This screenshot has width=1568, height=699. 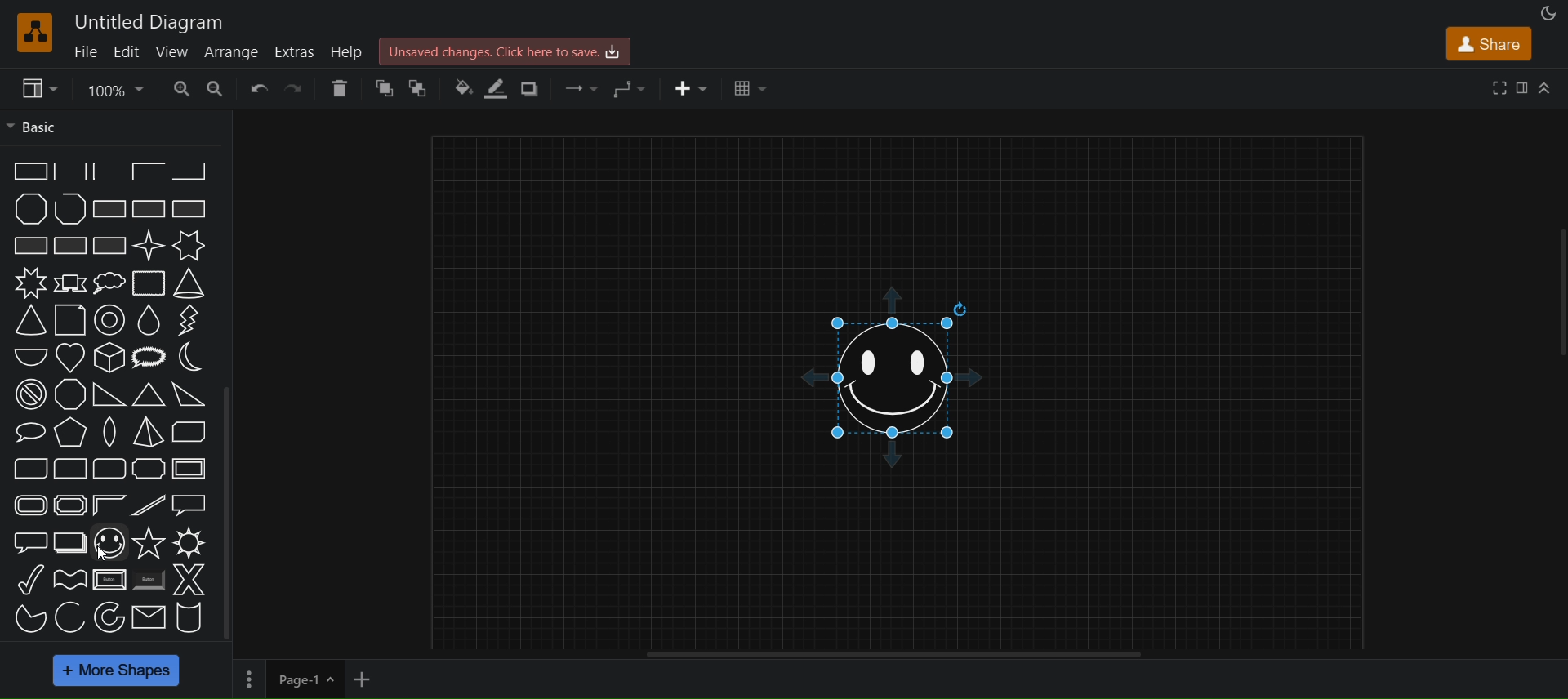 What do you see at coordinates (189, 580) in the screenshot?
I see `X` at bounding box center [189, 580].